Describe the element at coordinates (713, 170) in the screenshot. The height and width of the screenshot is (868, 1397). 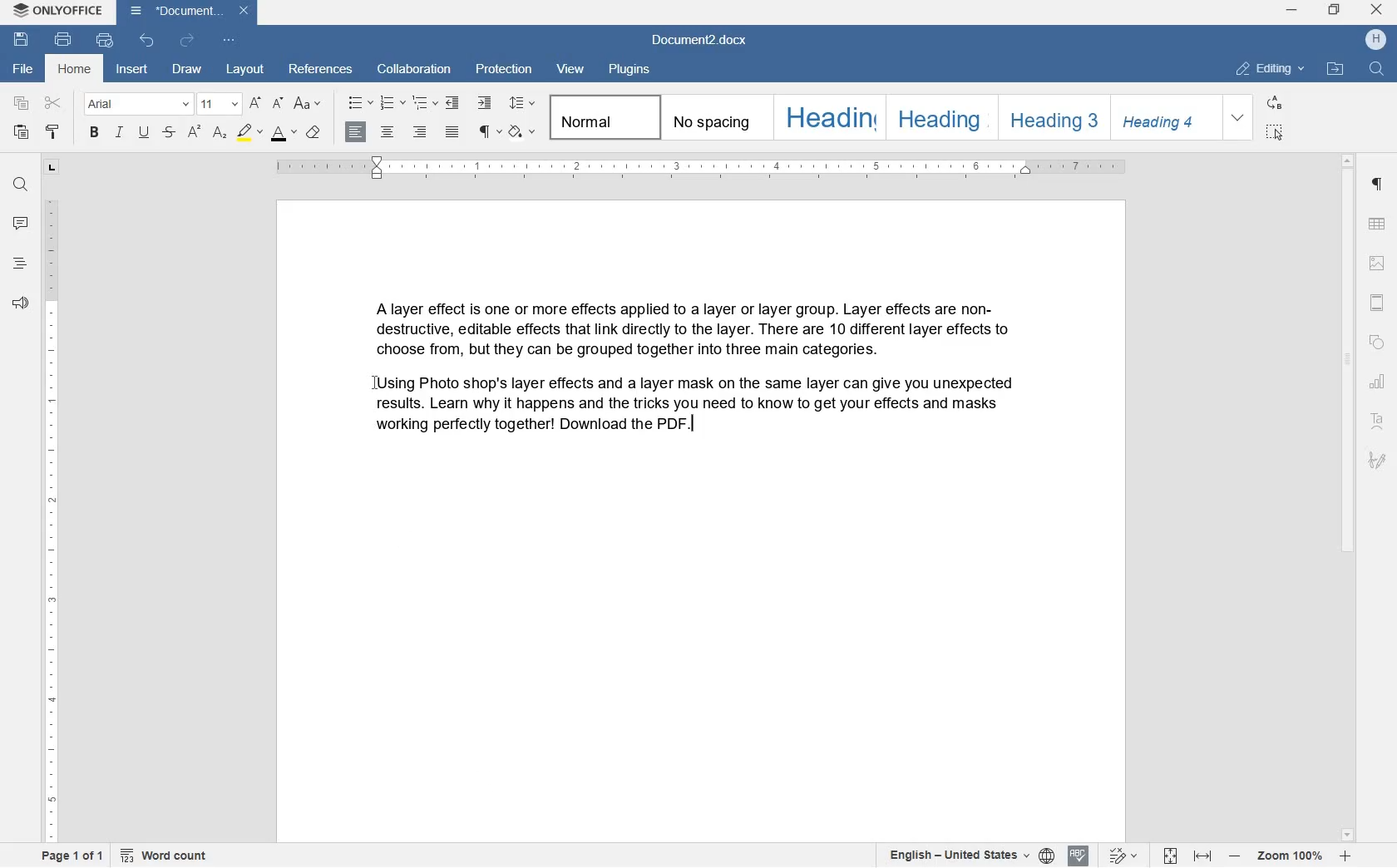
I see `RULER` at that location.